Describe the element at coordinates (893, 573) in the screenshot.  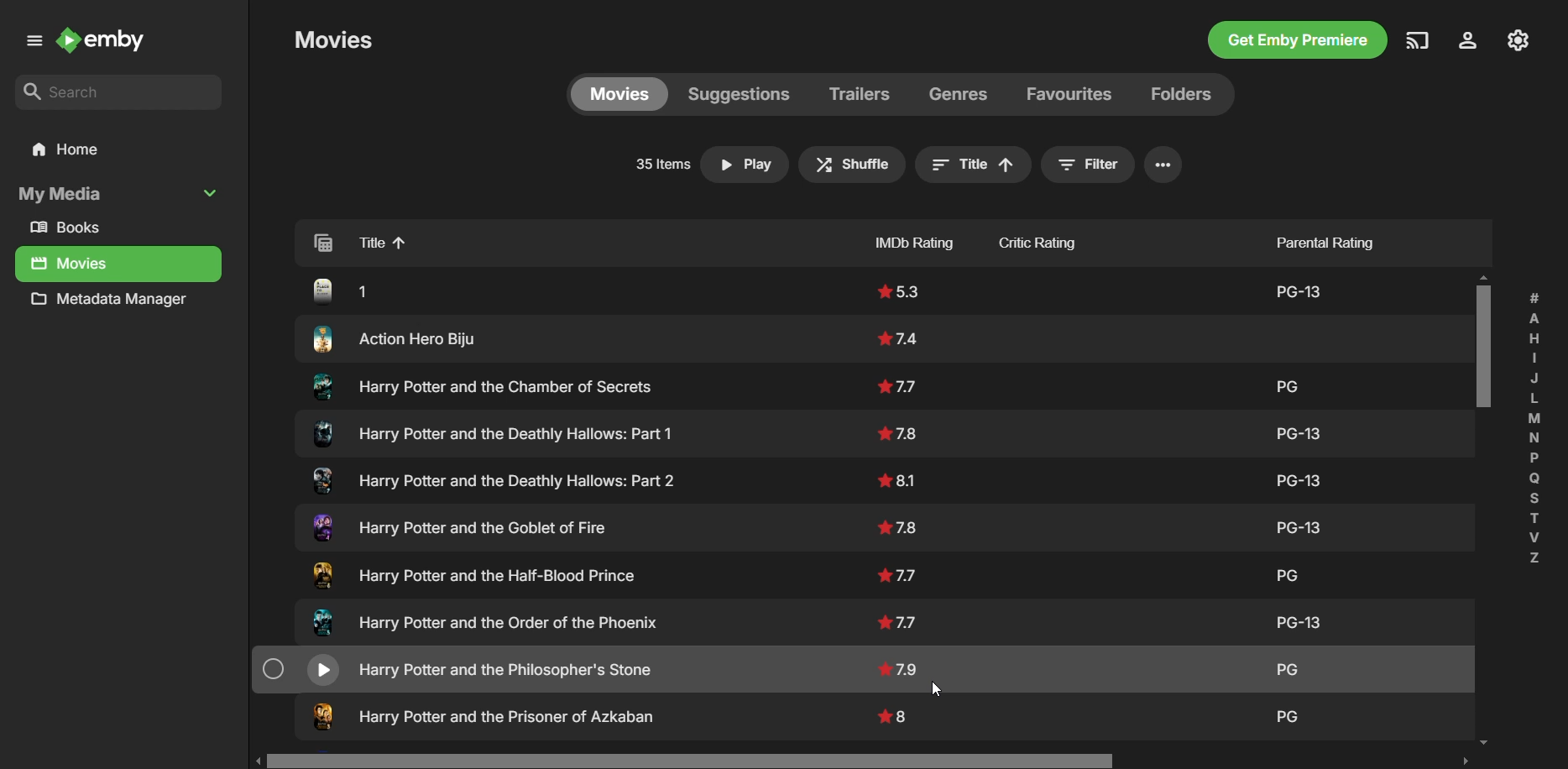
I see `` at that location.